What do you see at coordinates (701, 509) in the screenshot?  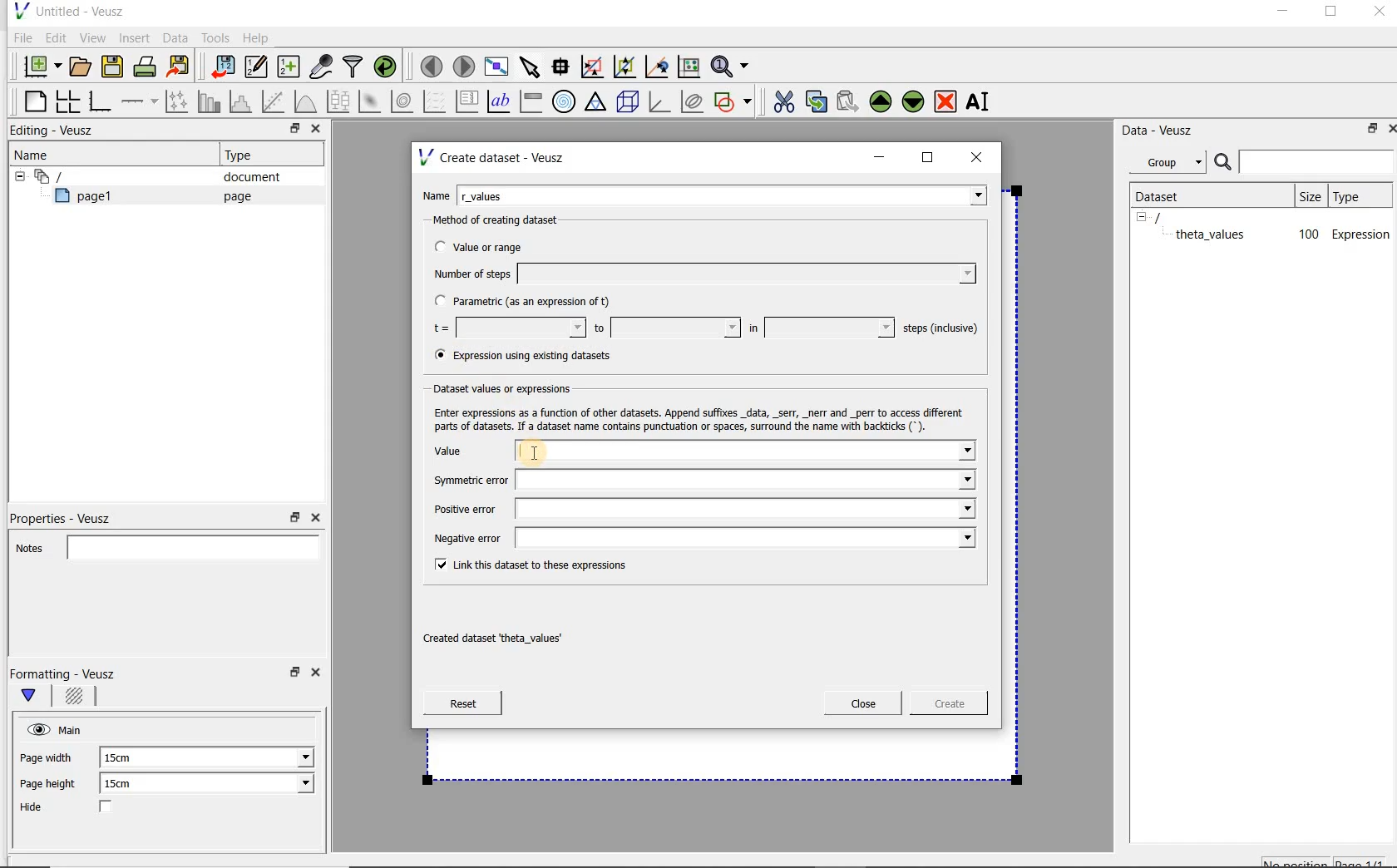 I see `Positive error` at bounding box center [701, 509].